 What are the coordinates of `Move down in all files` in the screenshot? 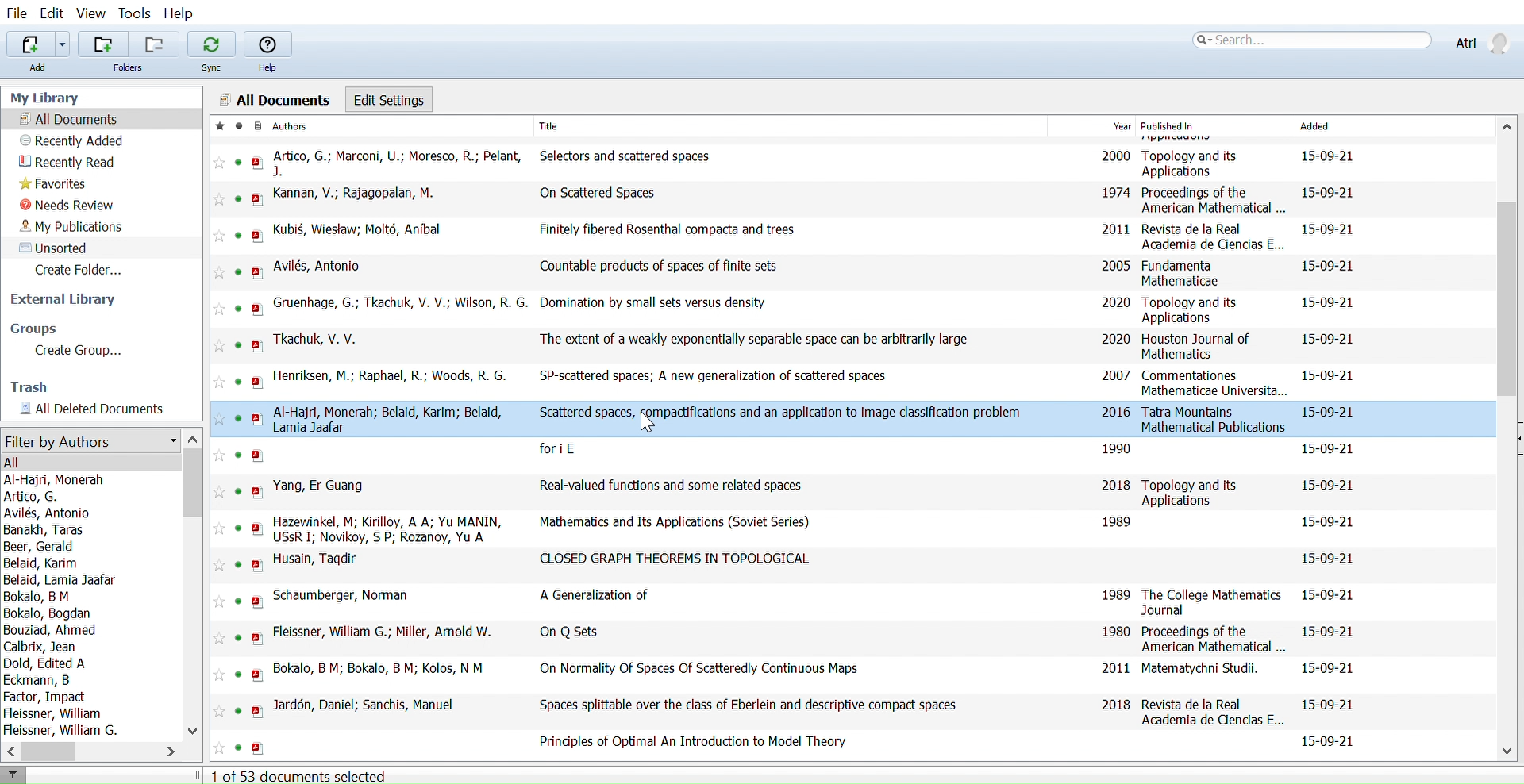 It's located at (1509, 748).